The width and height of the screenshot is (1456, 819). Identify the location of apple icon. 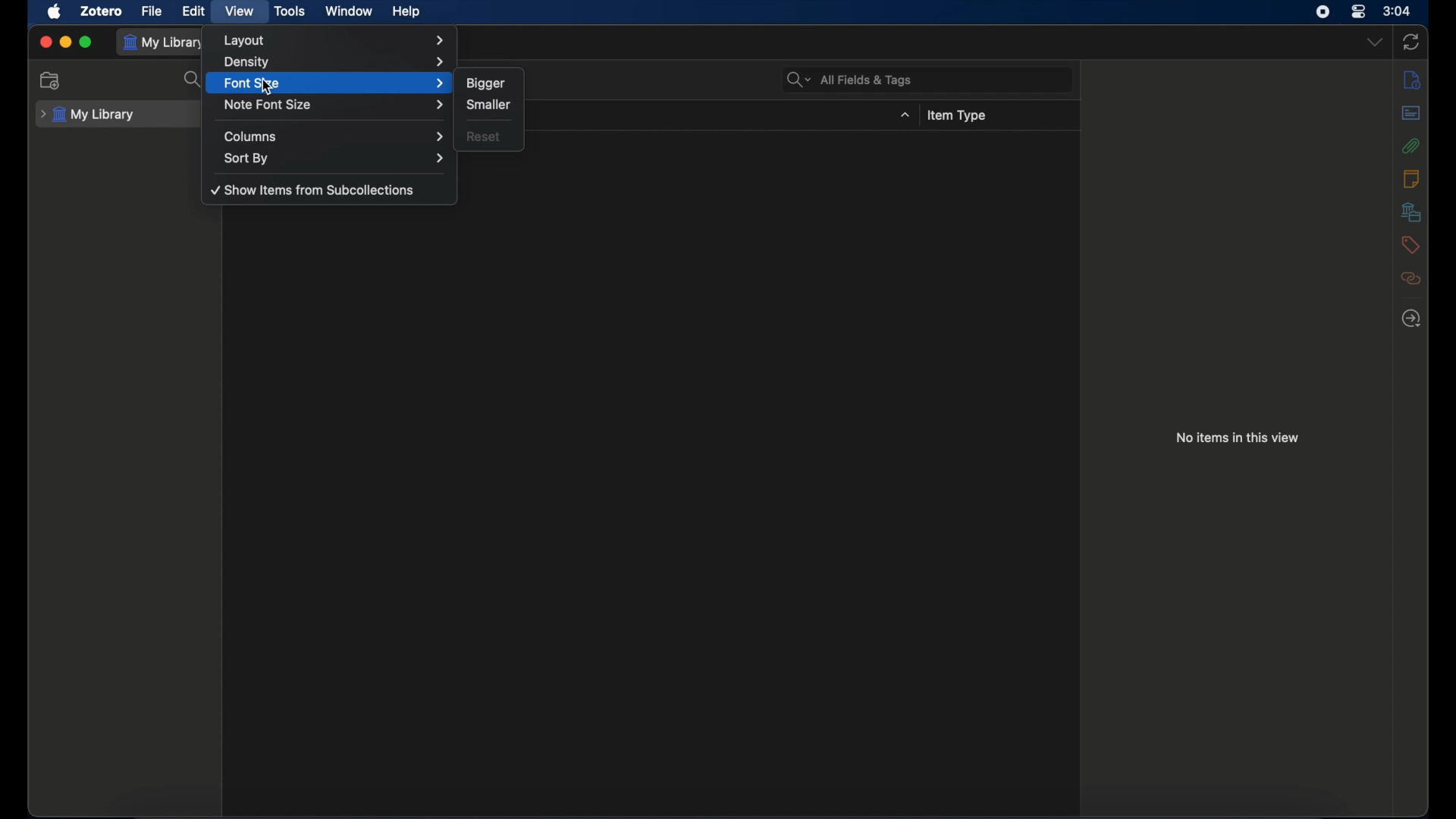
(55, 12).